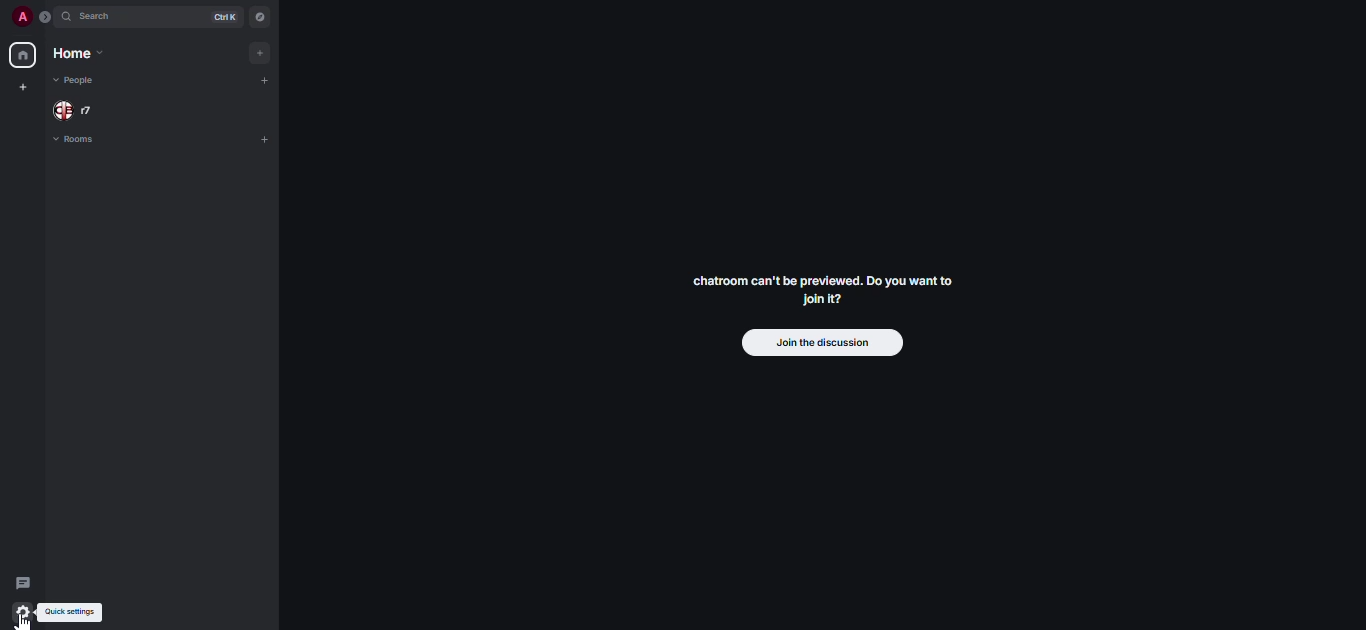 This screenshot has width=1366, height=630. Describe the element at coordinates (48, 16) in the screenshot. I see `expand` at that location.